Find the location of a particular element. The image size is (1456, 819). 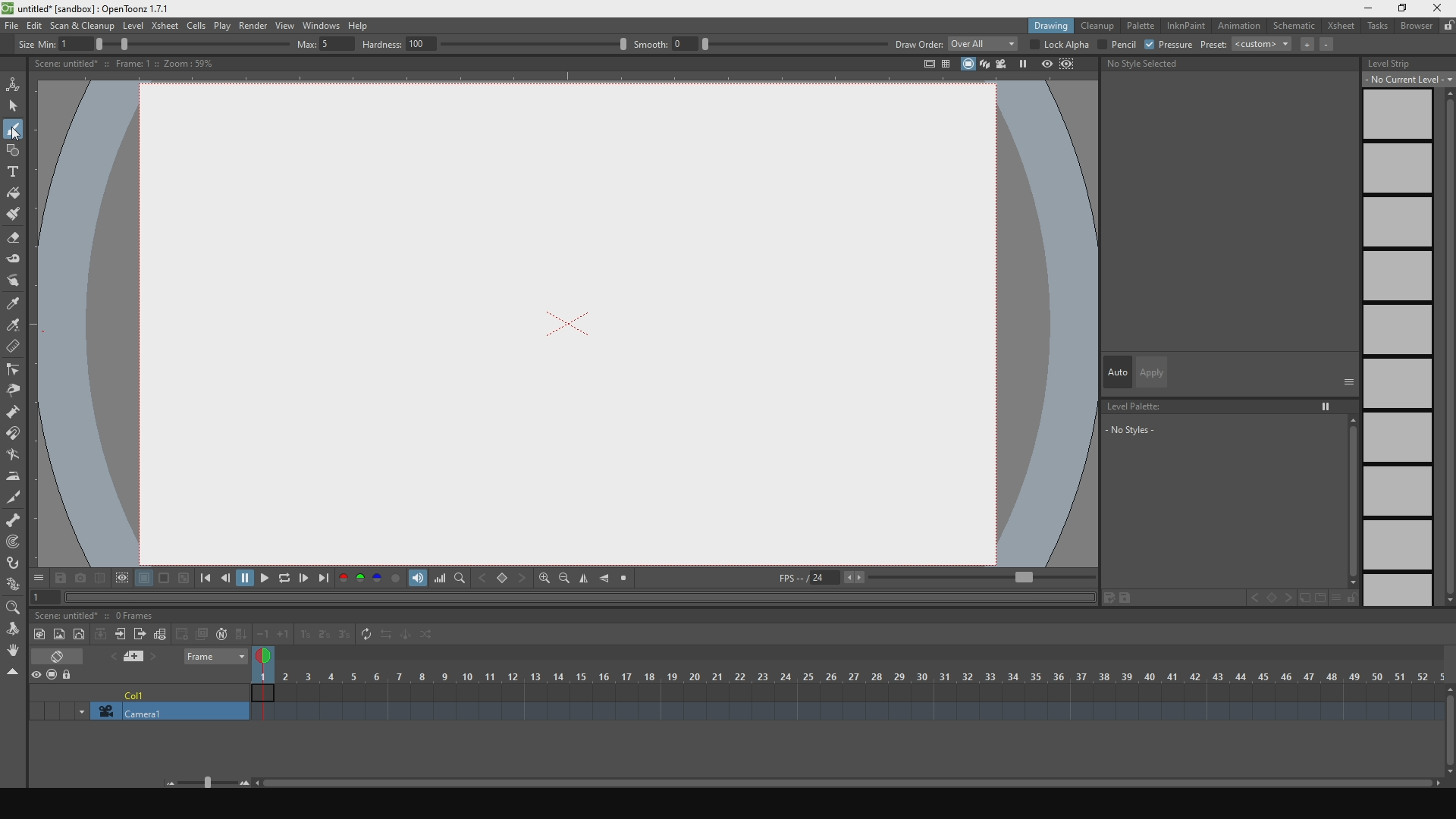

align horizontally is located at coordinates (606, 579).